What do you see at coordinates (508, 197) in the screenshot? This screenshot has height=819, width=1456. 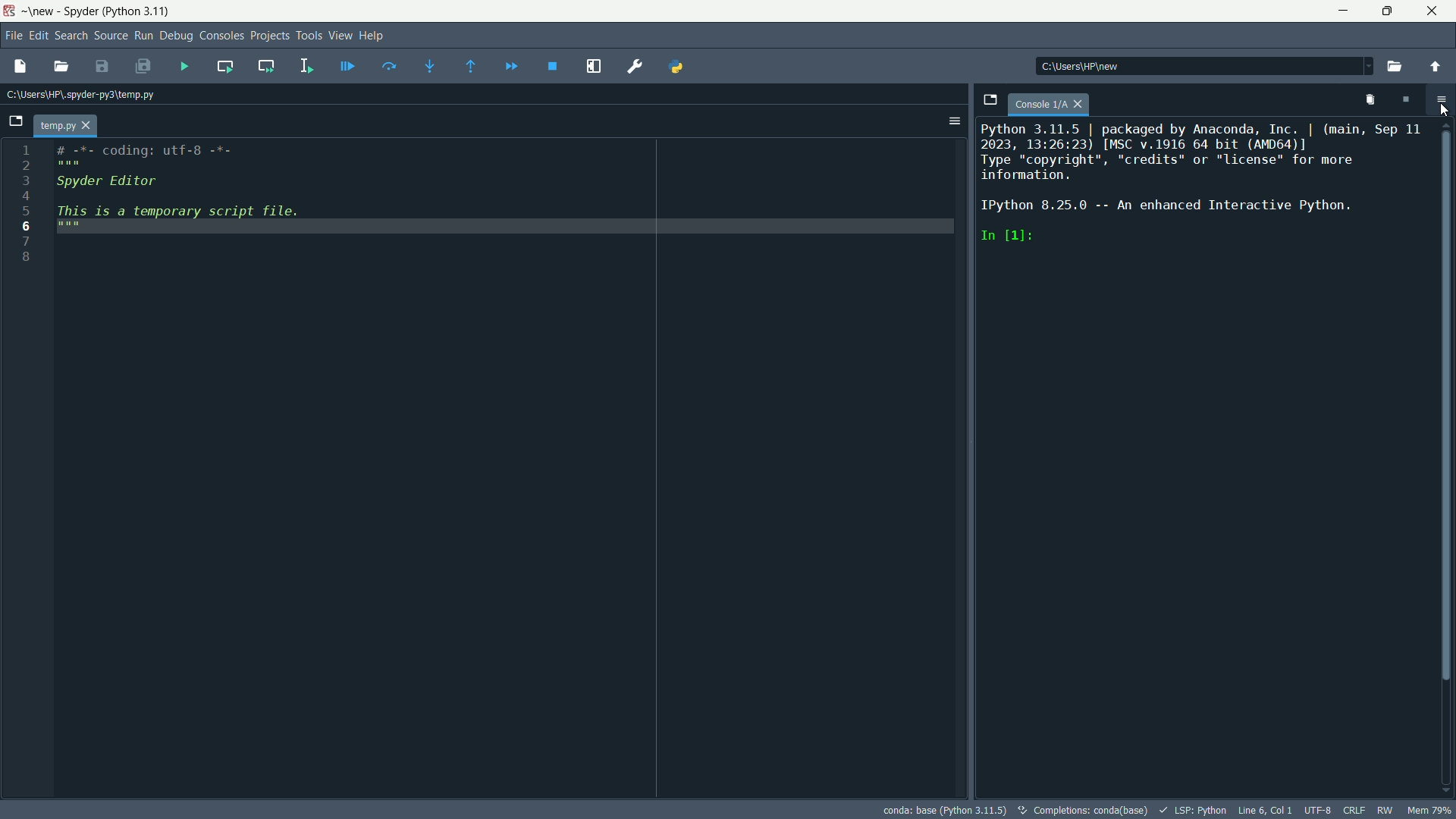 I see `# -*- coding: utf-8 -*- """ Spyder Editor  This is a temporary script file. """` at bounding box center [508, 197].